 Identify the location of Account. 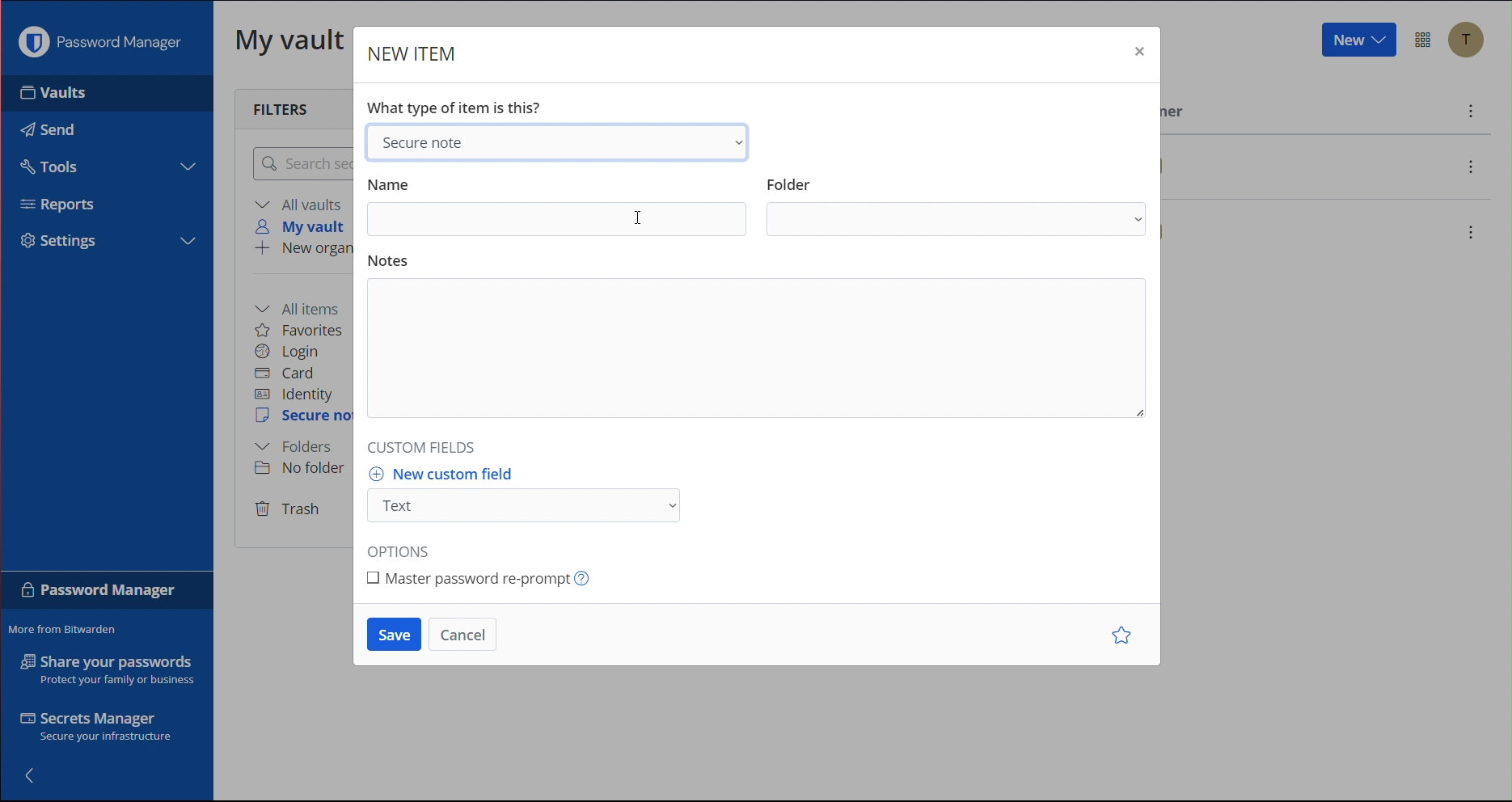
(1469, 40).